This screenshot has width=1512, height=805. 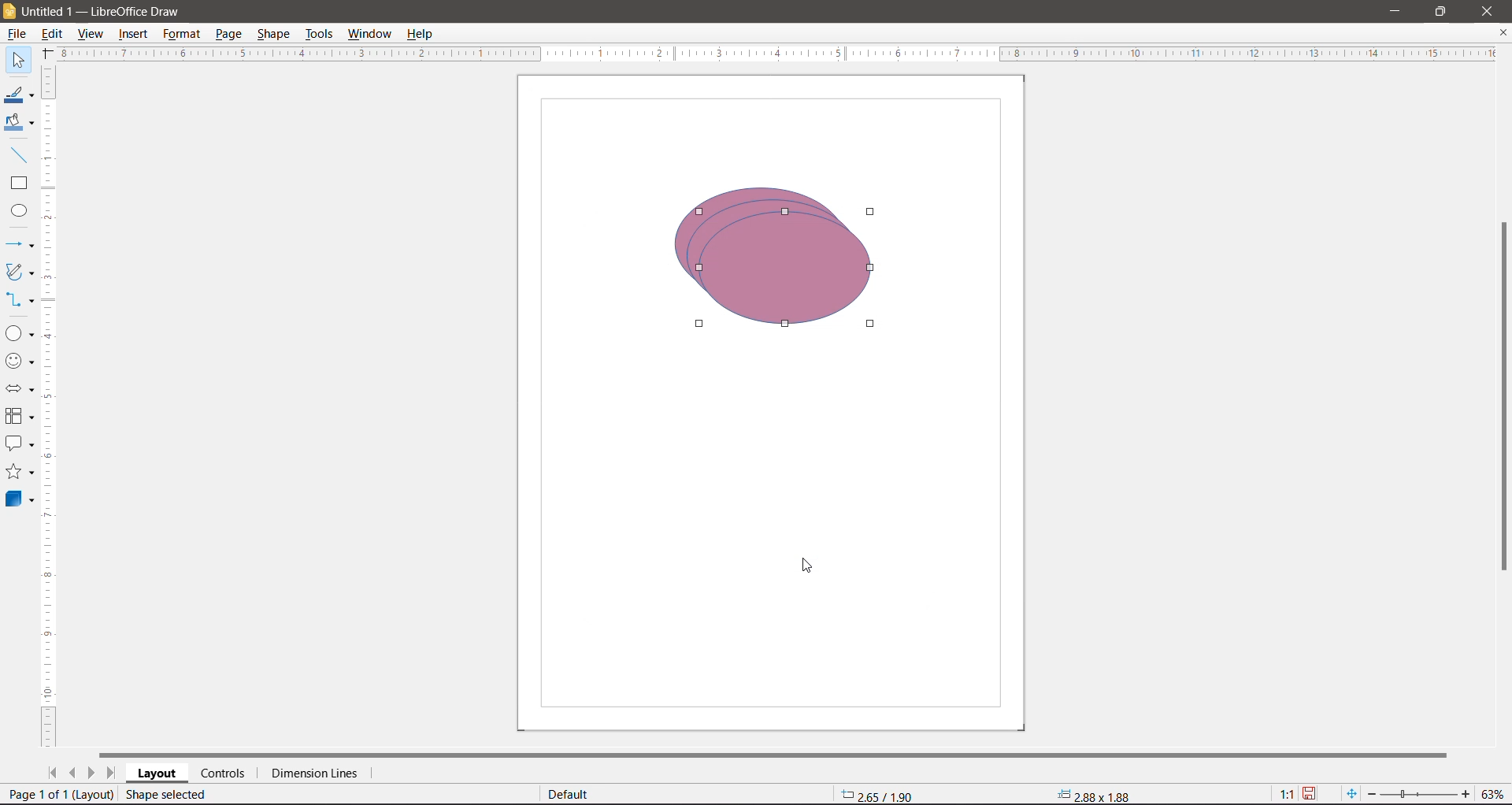 I want to click on 3D Objects, so click(x=20, y=500).